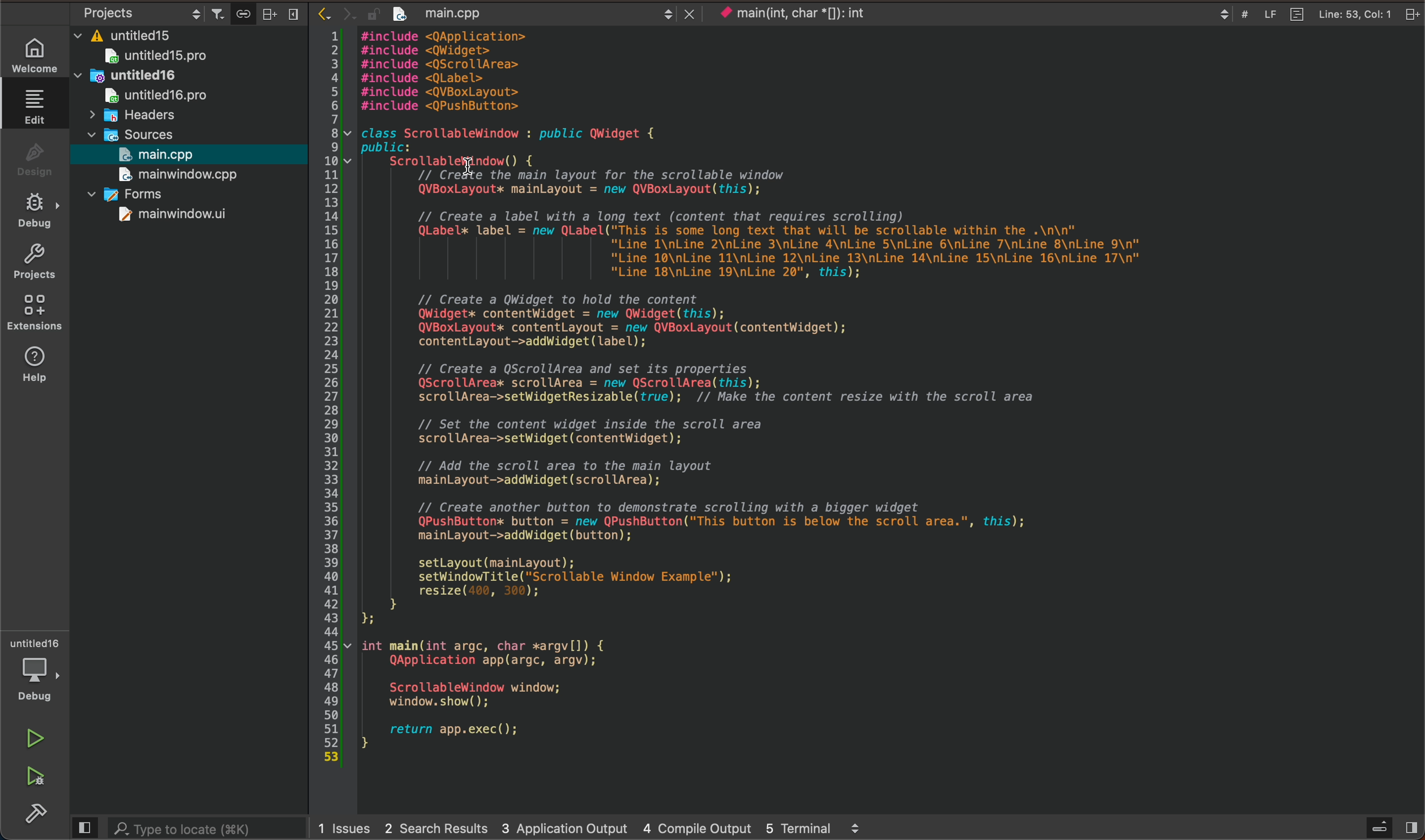 The width and height of the screenshot is (1425, 840). What do you see at coordinates (807, 15) in the screenshot?
I see `current context` at bounding box center [807, 15].